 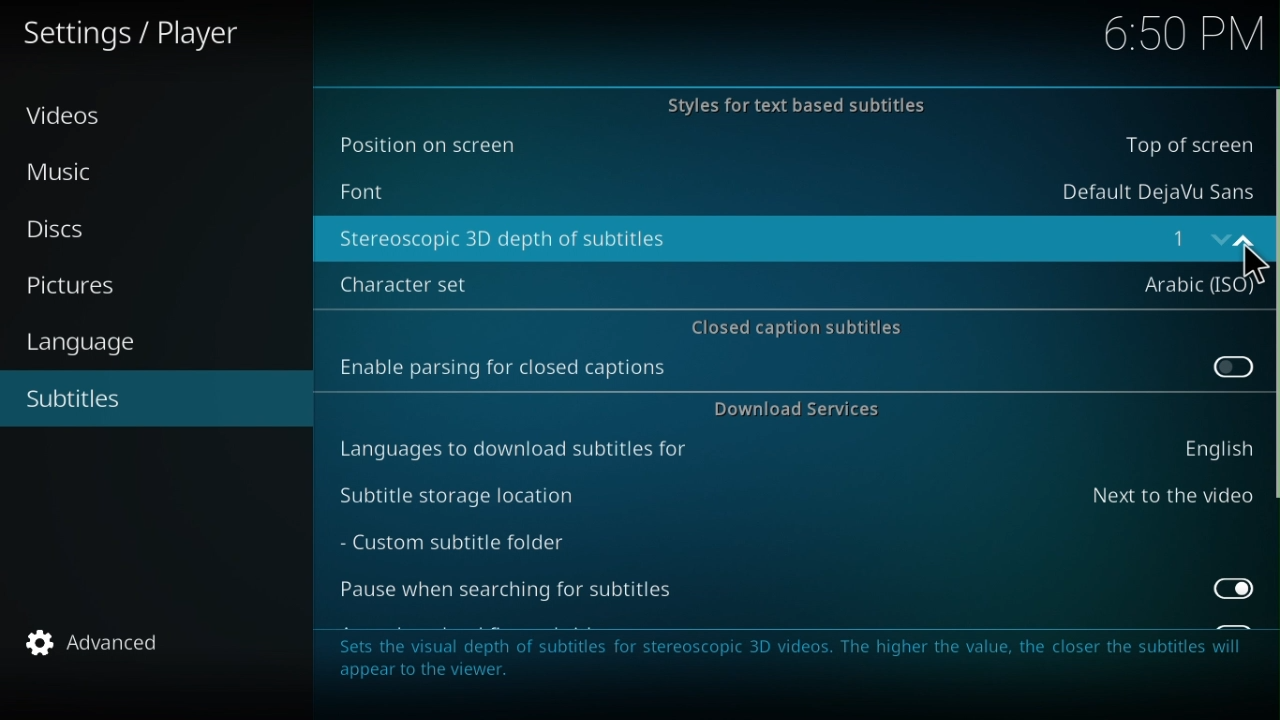 What do you see at coordinates (794, 496) in the screenshot?
I see `Subtitle storage loaction` at bounding box center [794, 496].